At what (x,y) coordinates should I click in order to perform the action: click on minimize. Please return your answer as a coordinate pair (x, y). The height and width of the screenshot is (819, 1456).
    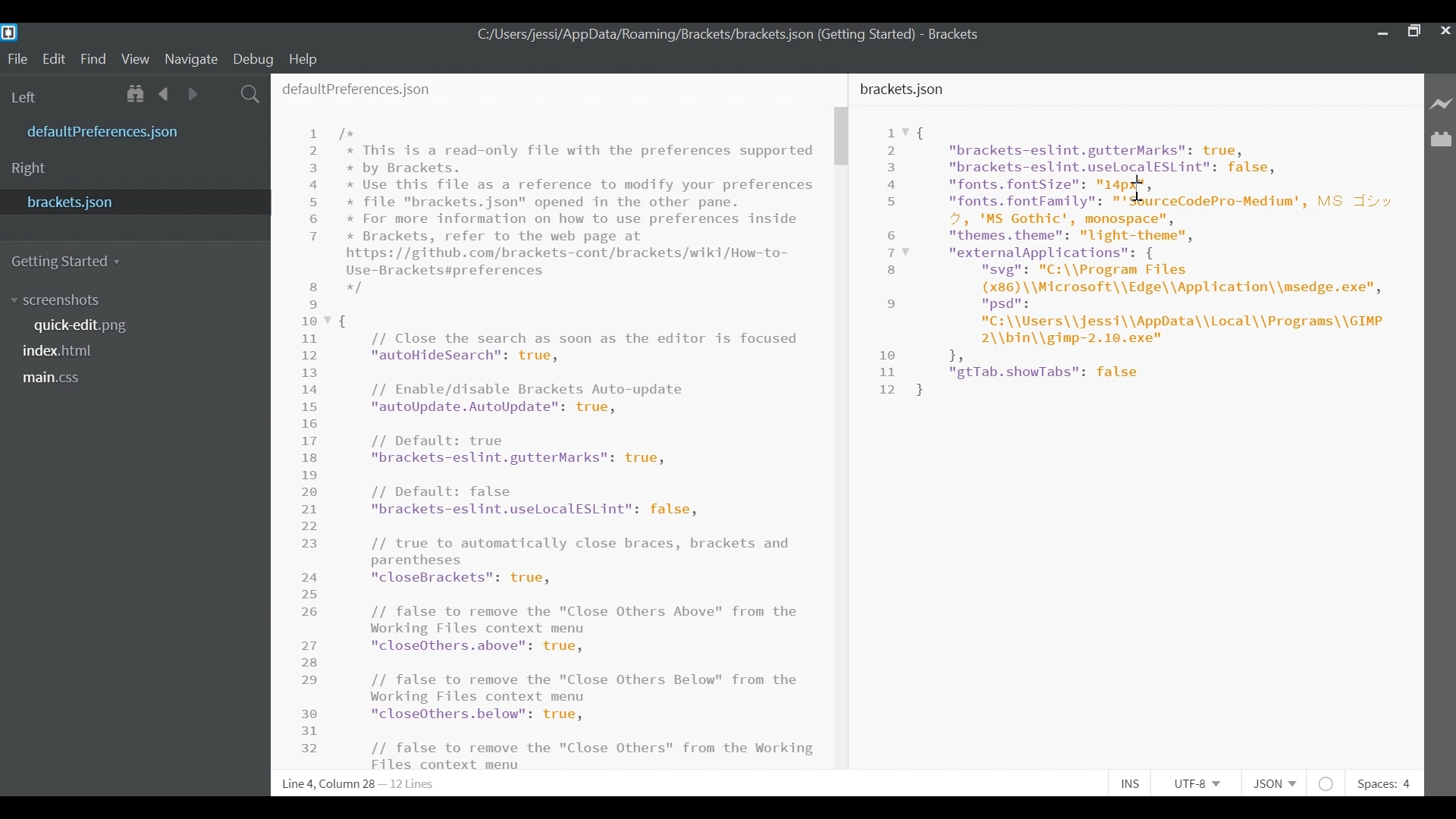
    Looking at the image, I should click on (1381, 32).